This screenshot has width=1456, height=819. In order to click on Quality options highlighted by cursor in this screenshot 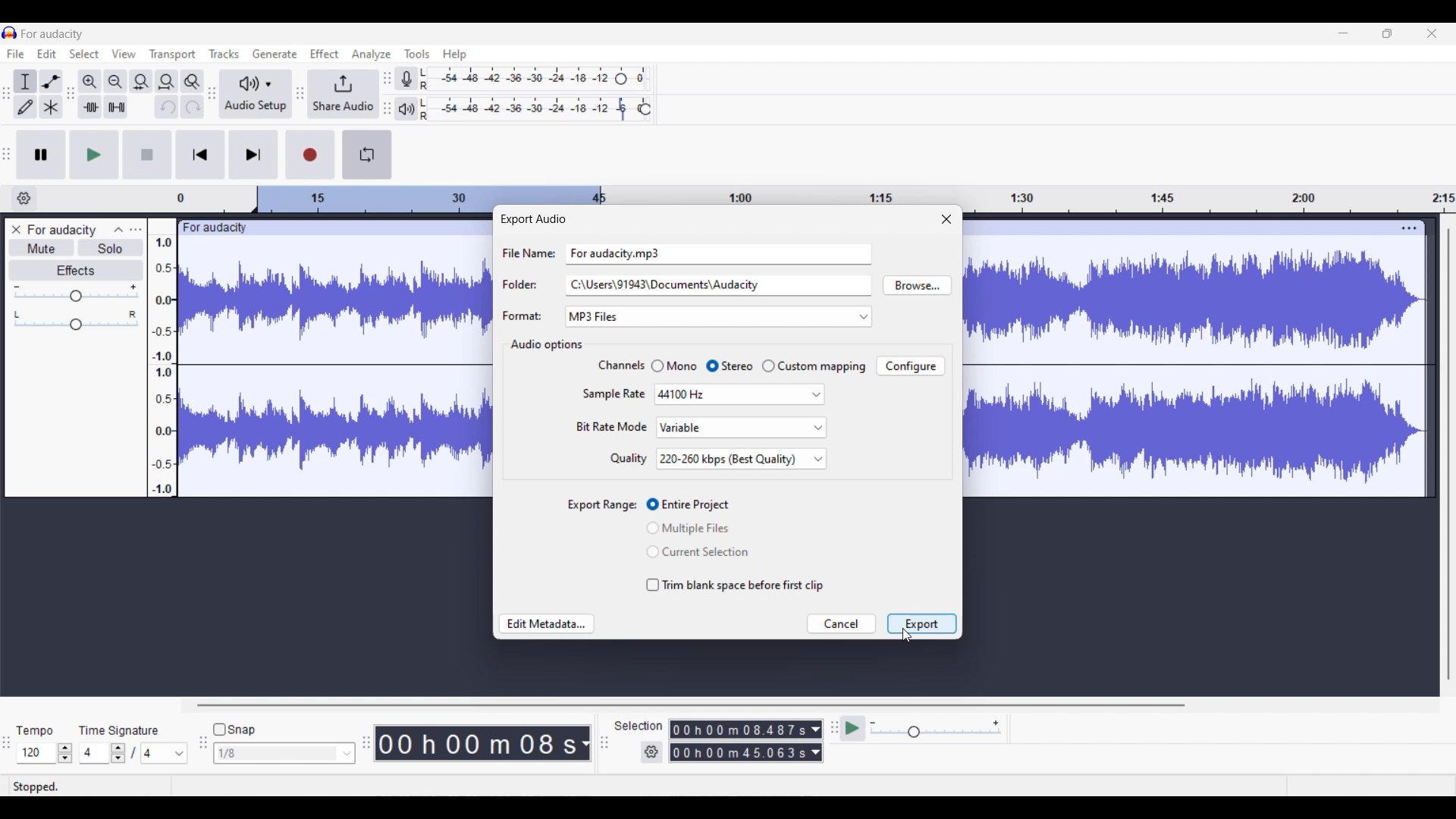, I will do `click(811, 459)`.